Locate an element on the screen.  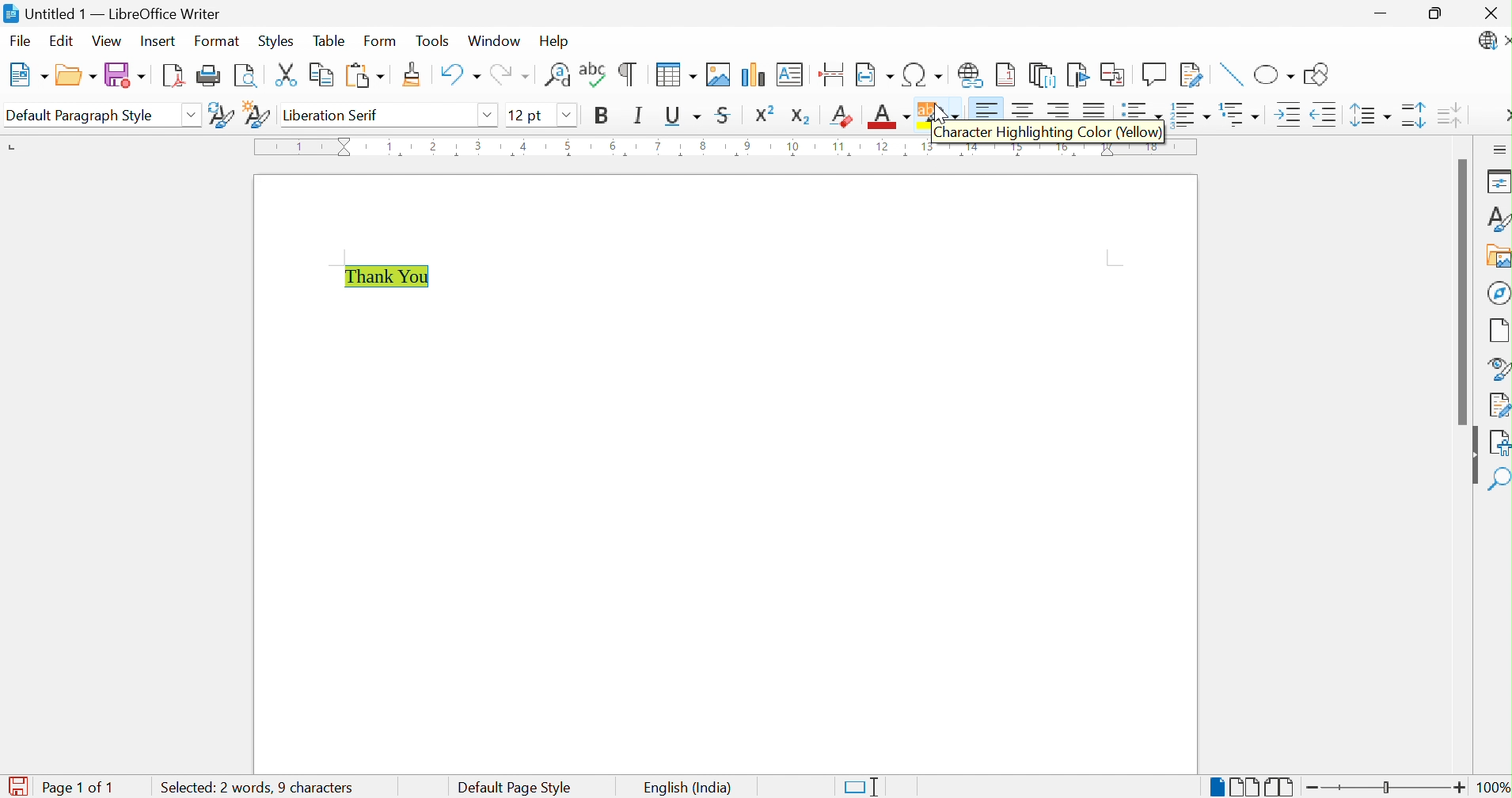
Default Paragraph Style is located at coordinates (80, 114).